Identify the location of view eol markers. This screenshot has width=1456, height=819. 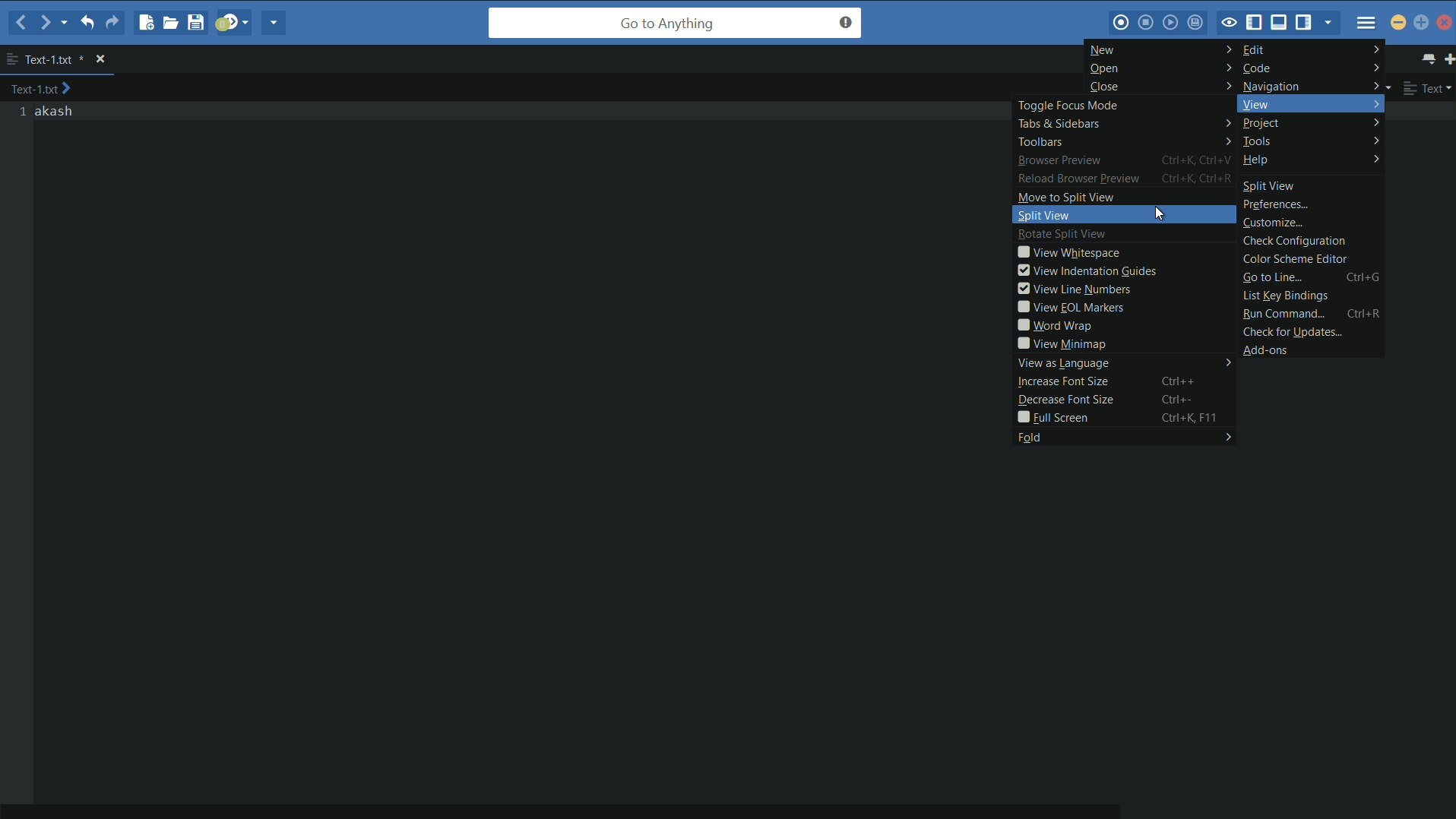
(1125, 308).